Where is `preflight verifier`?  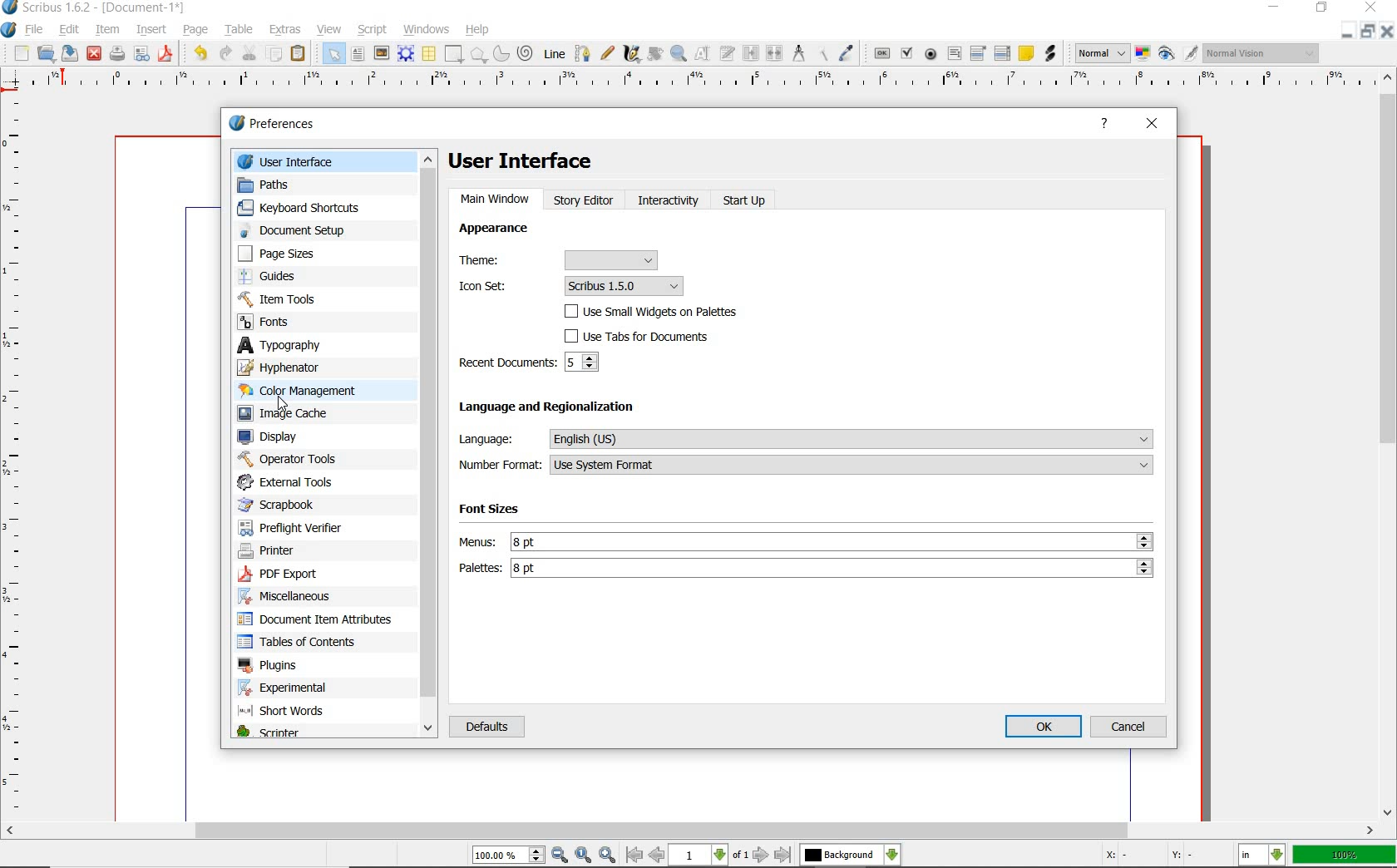
preflight verifier is located at coordinates (143, 52).